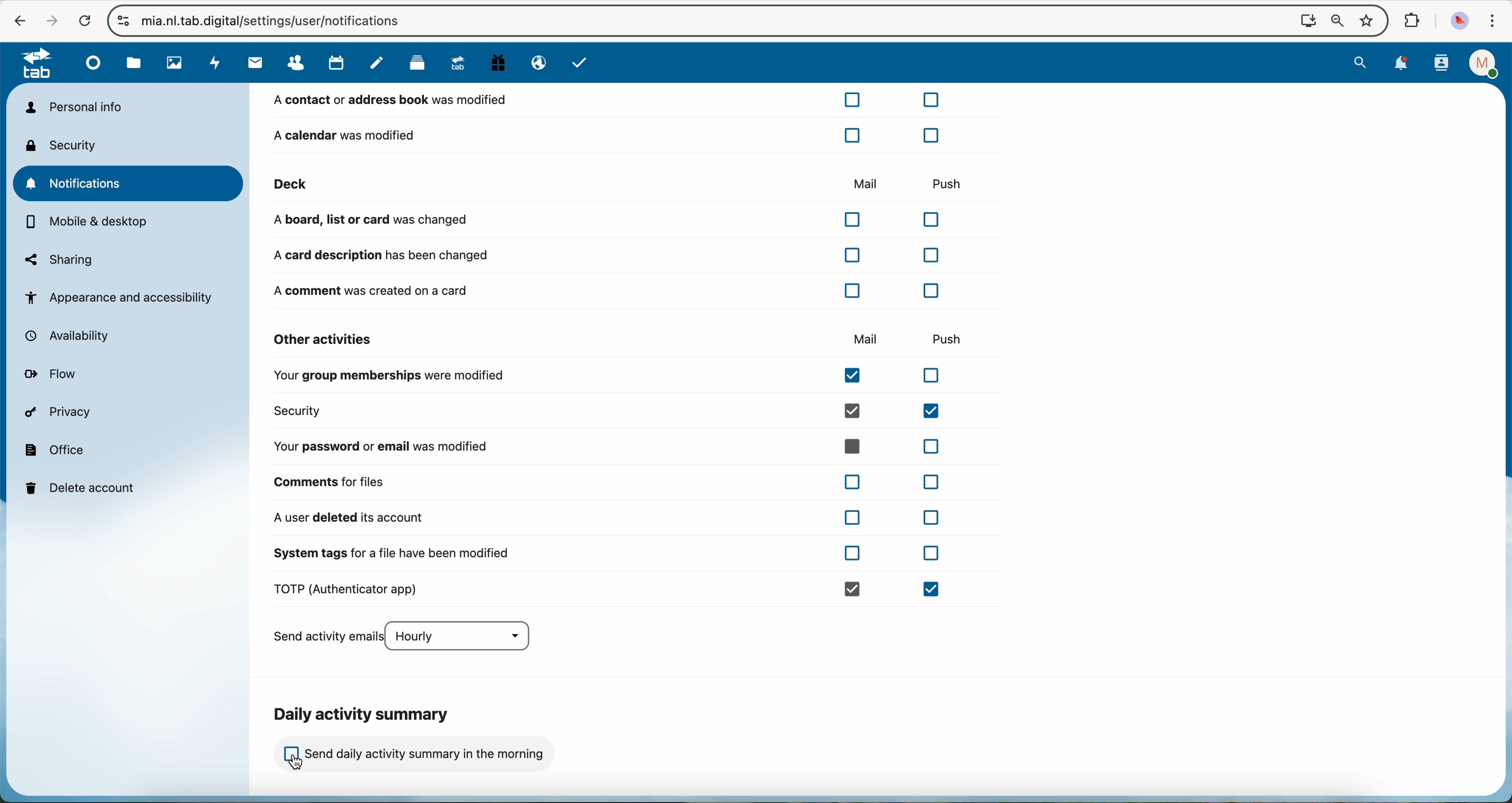 The height and width of the screenshot is (803, 1512). What do you see at coordinates (73, 336) in the screenshot?
I see `availability` at bounding box center [73, 336].